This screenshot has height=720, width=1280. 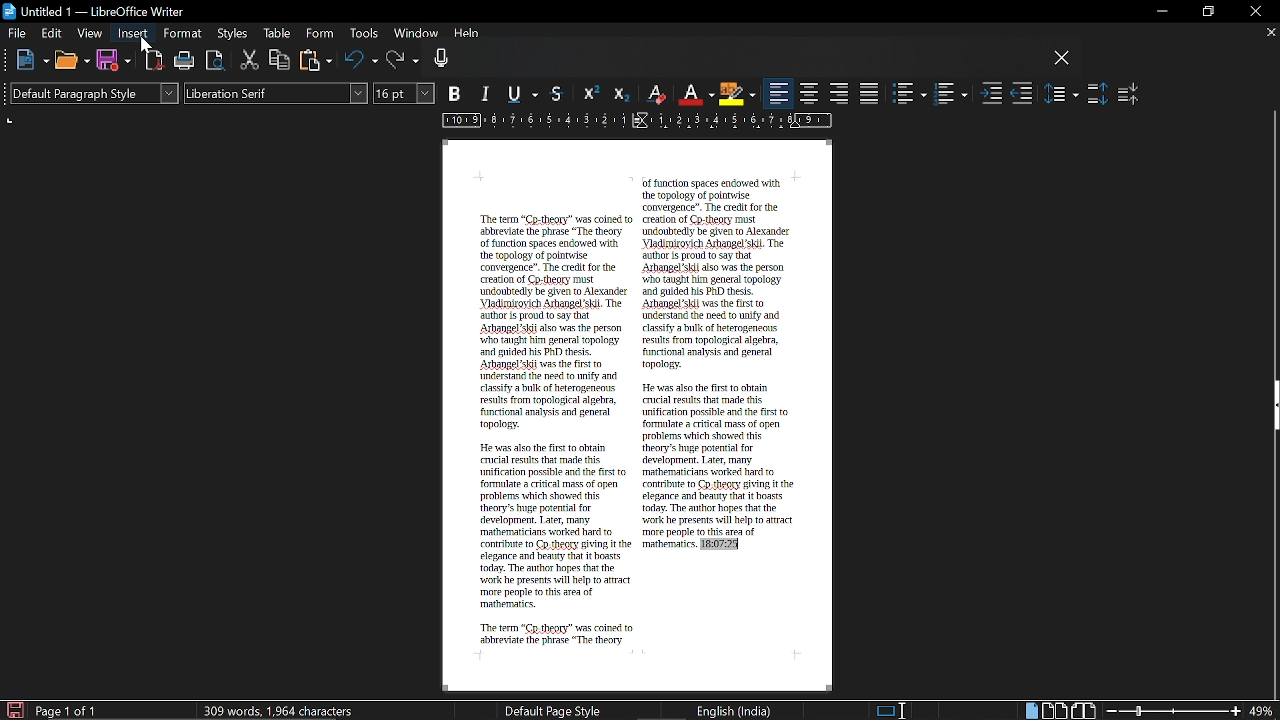 What do you see at coordinates (892, 710) in the screenshot?
I see `Standard selection` at bounding box center [892, 710].